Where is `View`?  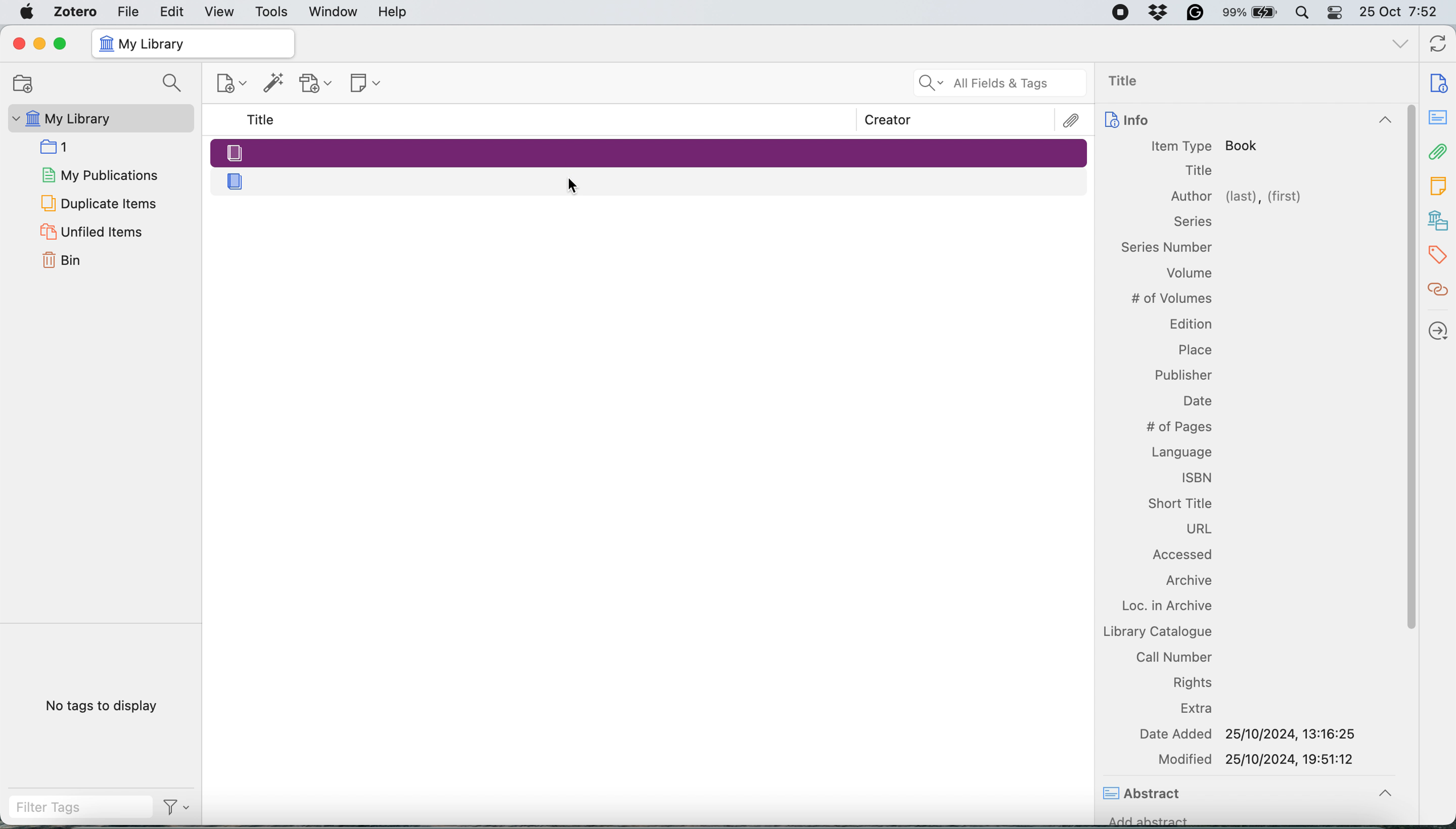
View is located at coordinates (221, 12).